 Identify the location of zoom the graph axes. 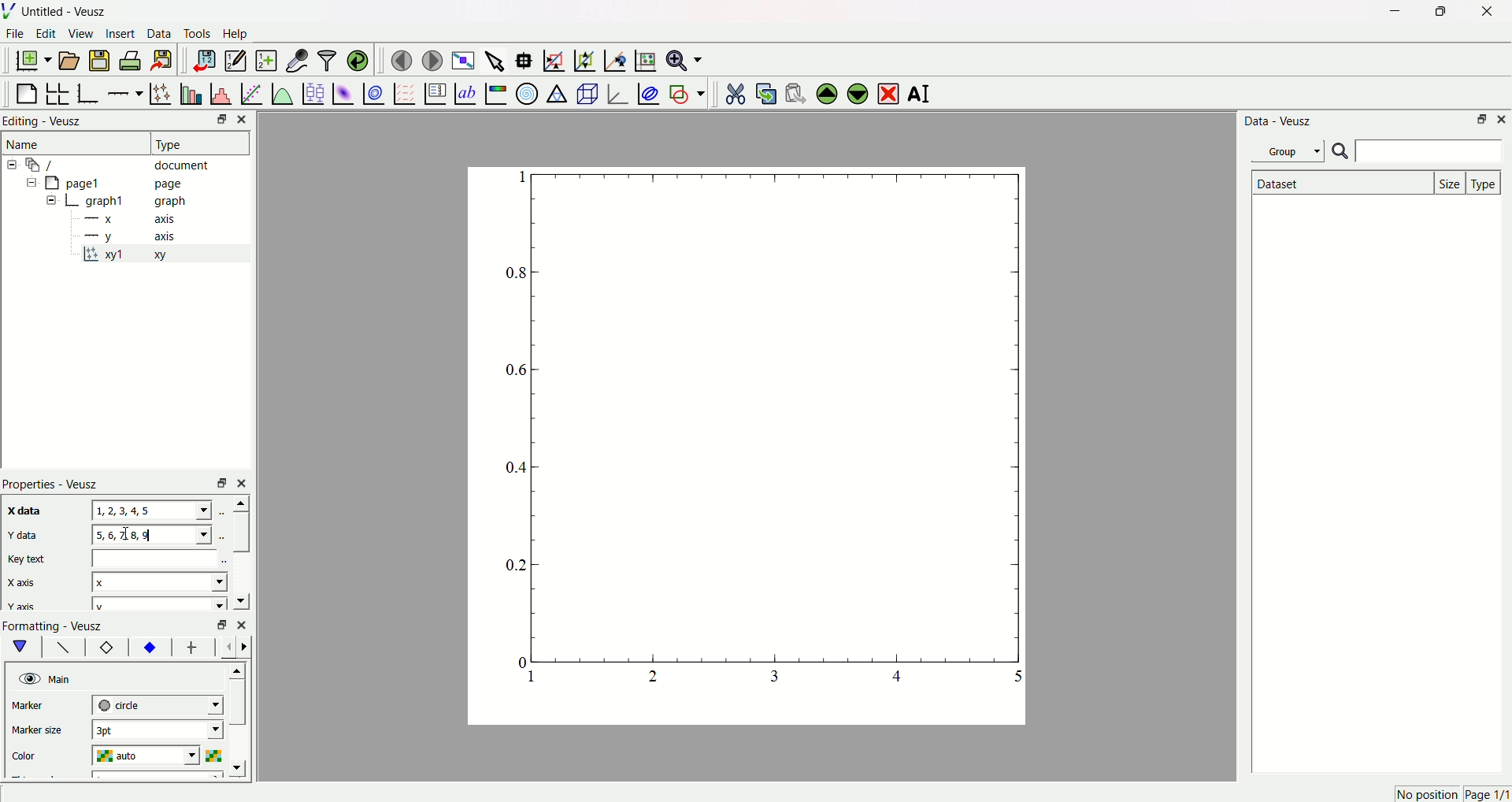
(582, 58).